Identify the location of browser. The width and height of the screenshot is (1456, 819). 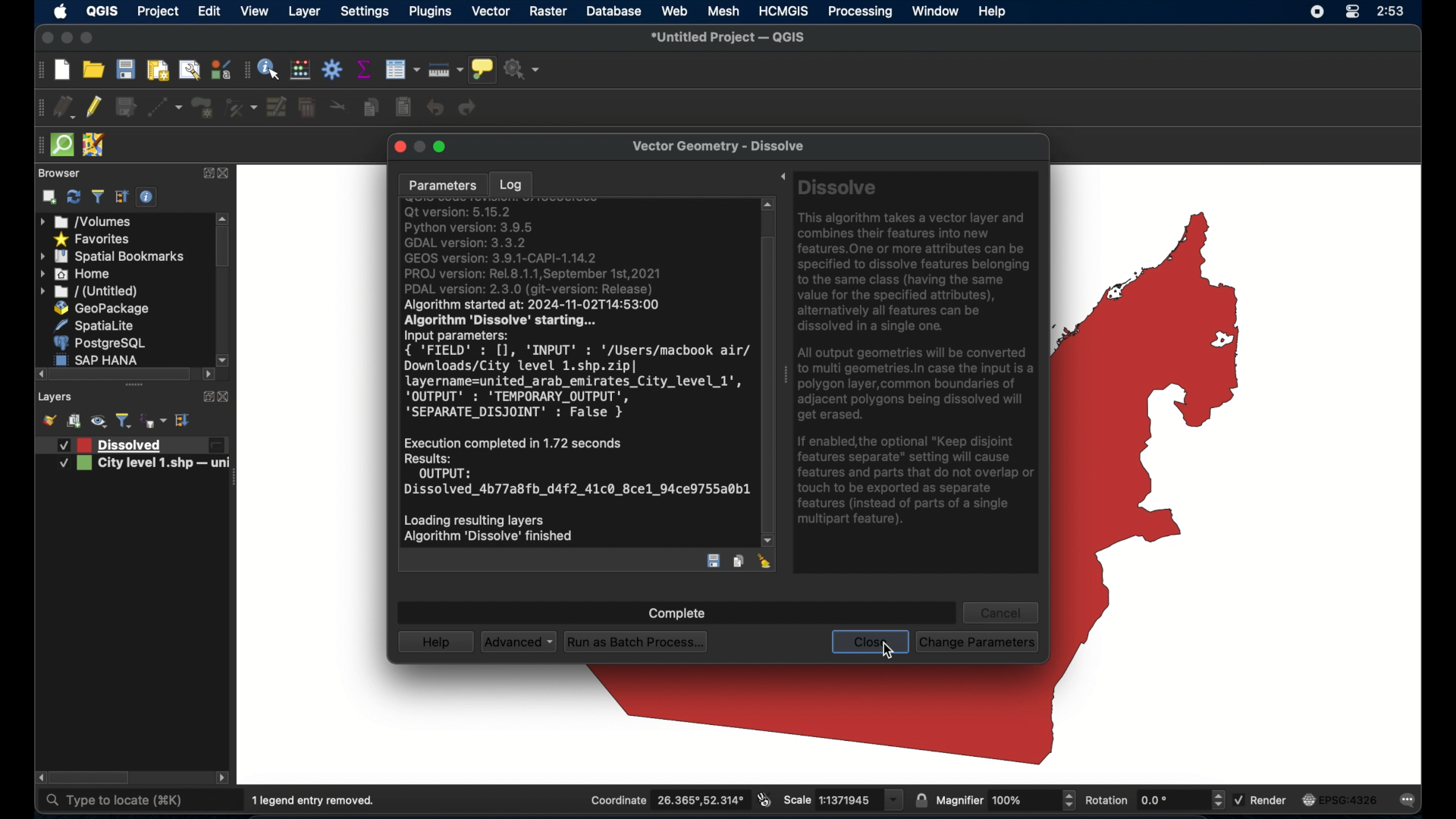
(57, 172).